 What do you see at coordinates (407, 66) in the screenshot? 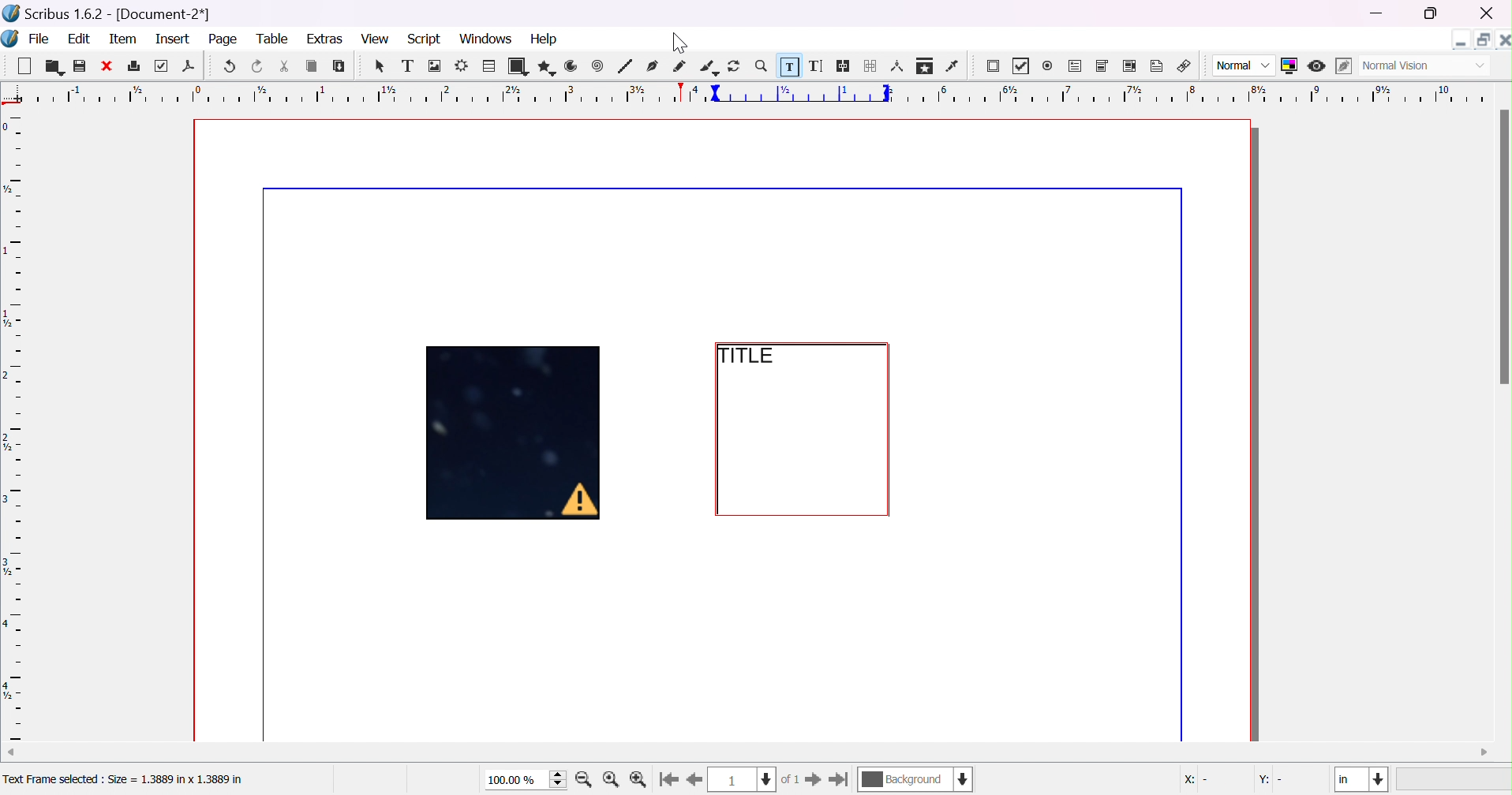
I see `text frame` at bounding box center [407, 66].